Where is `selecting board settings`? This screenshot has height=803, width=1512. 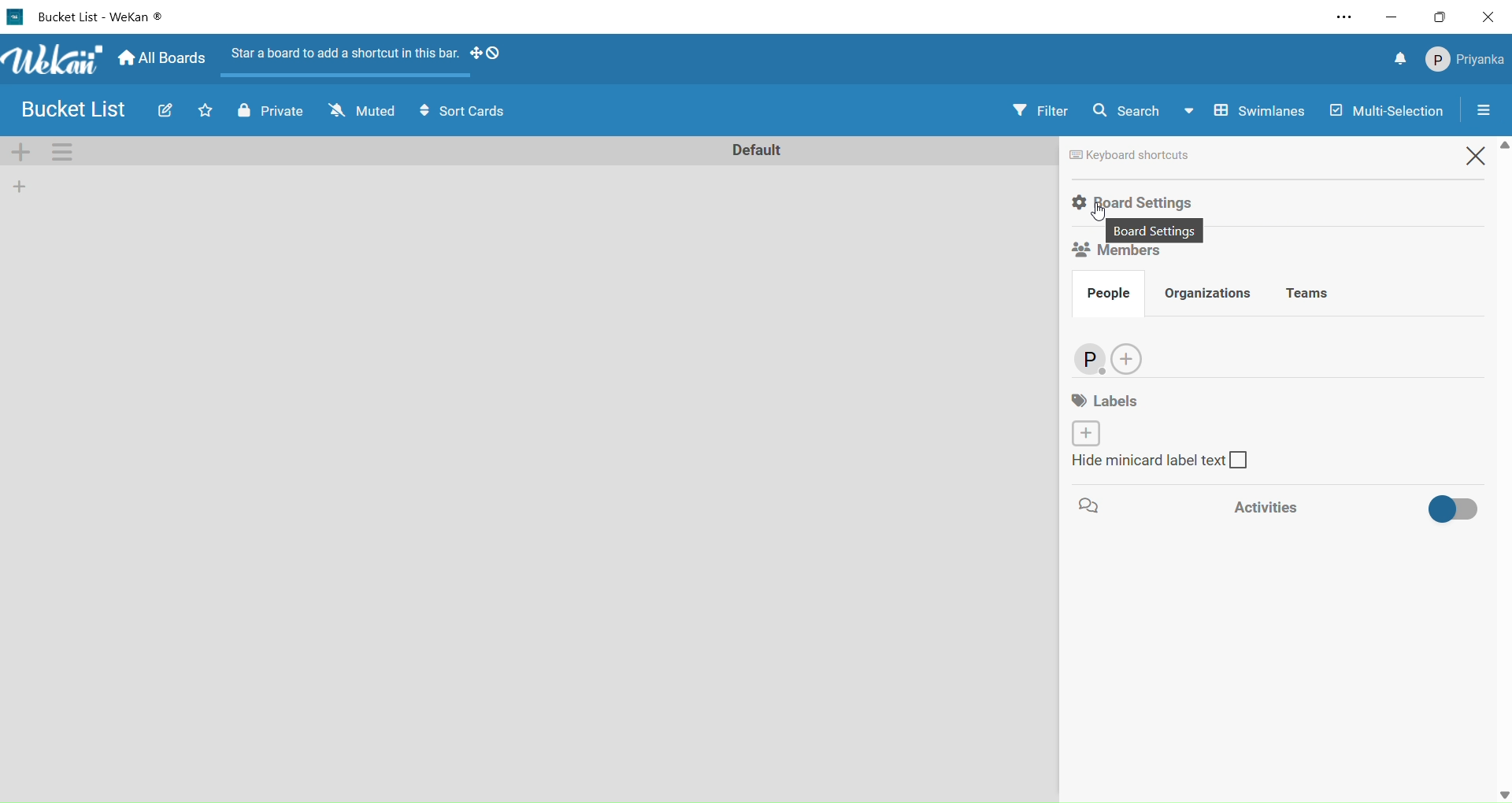 selecting board settings is located at coordinates (1131, 202).